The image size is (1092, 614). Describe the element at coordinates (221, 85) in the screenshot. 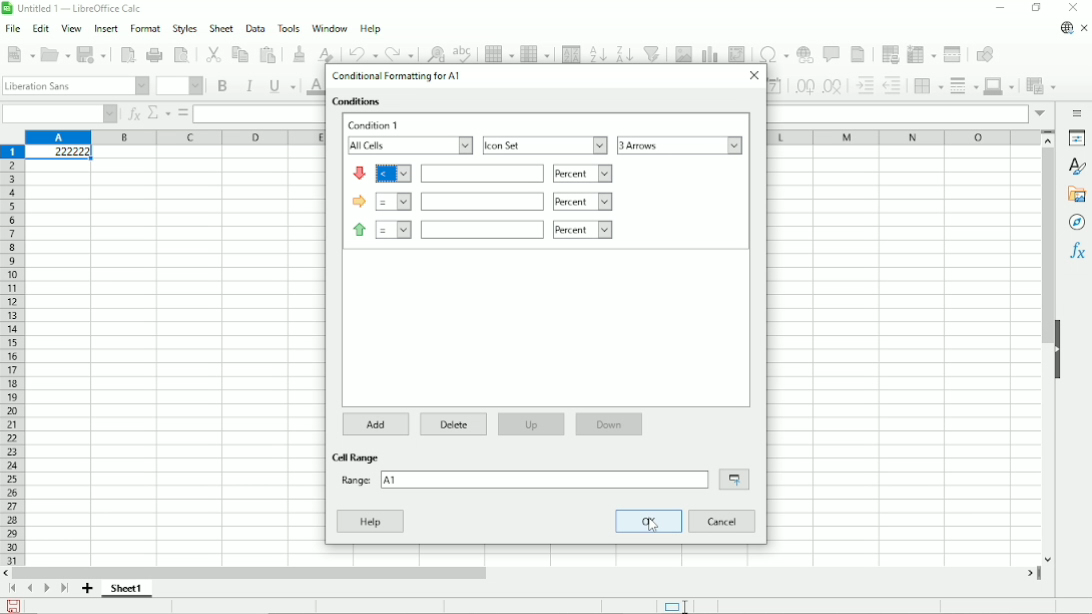

I see `Bold` at that location.